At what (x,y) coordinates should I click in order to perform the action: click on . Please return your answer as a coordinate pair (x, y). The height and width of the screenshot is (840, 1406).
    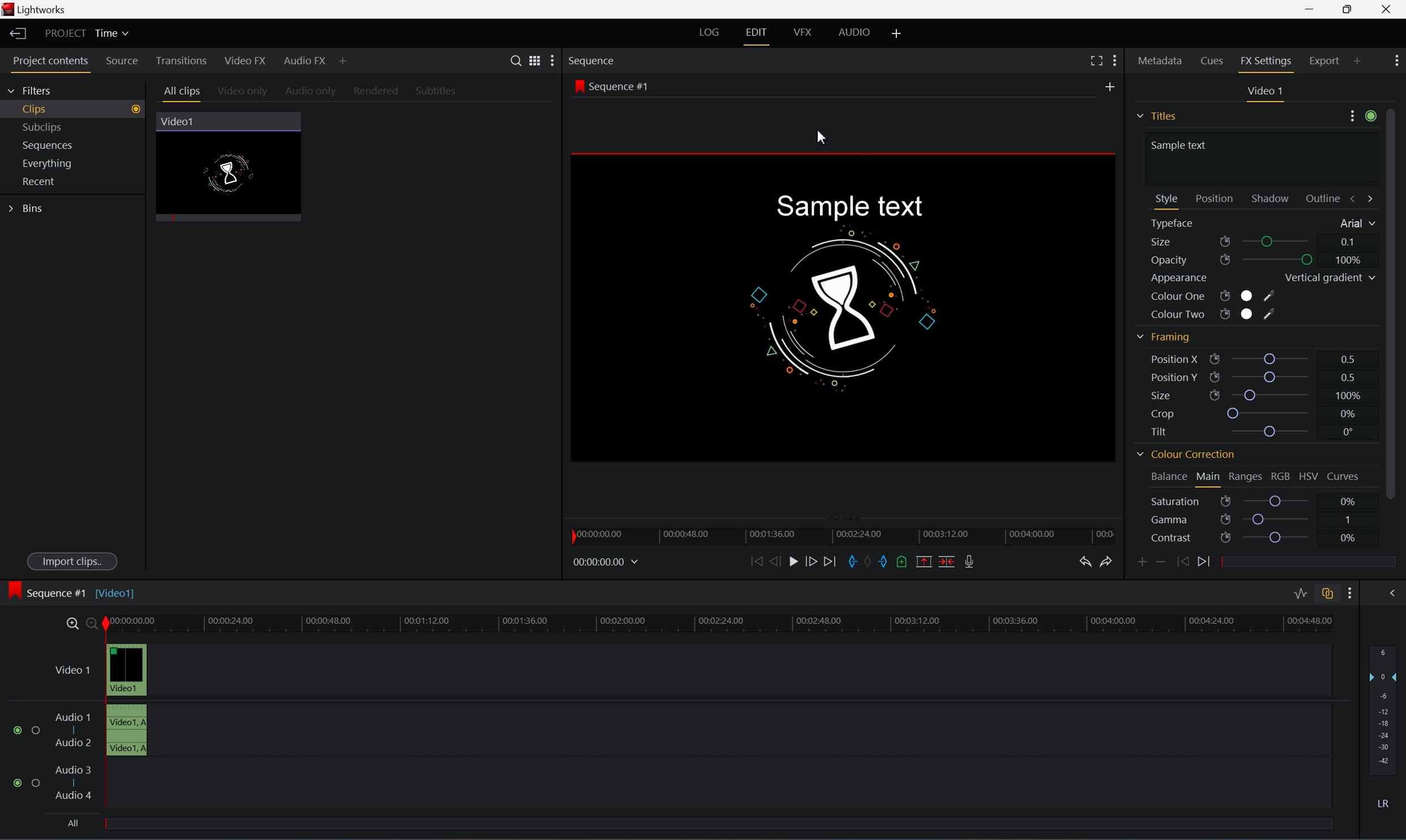
    Looking at the image, I should click on (41, 181).